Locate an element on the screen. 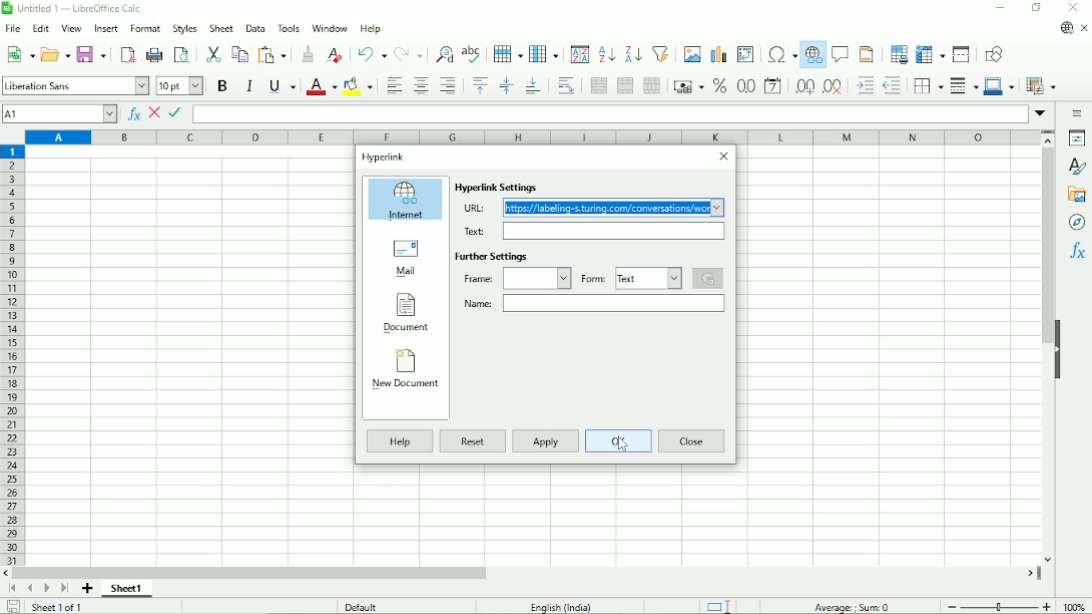 The image size is (1092, 614). View is located at coordinates (71, 27).